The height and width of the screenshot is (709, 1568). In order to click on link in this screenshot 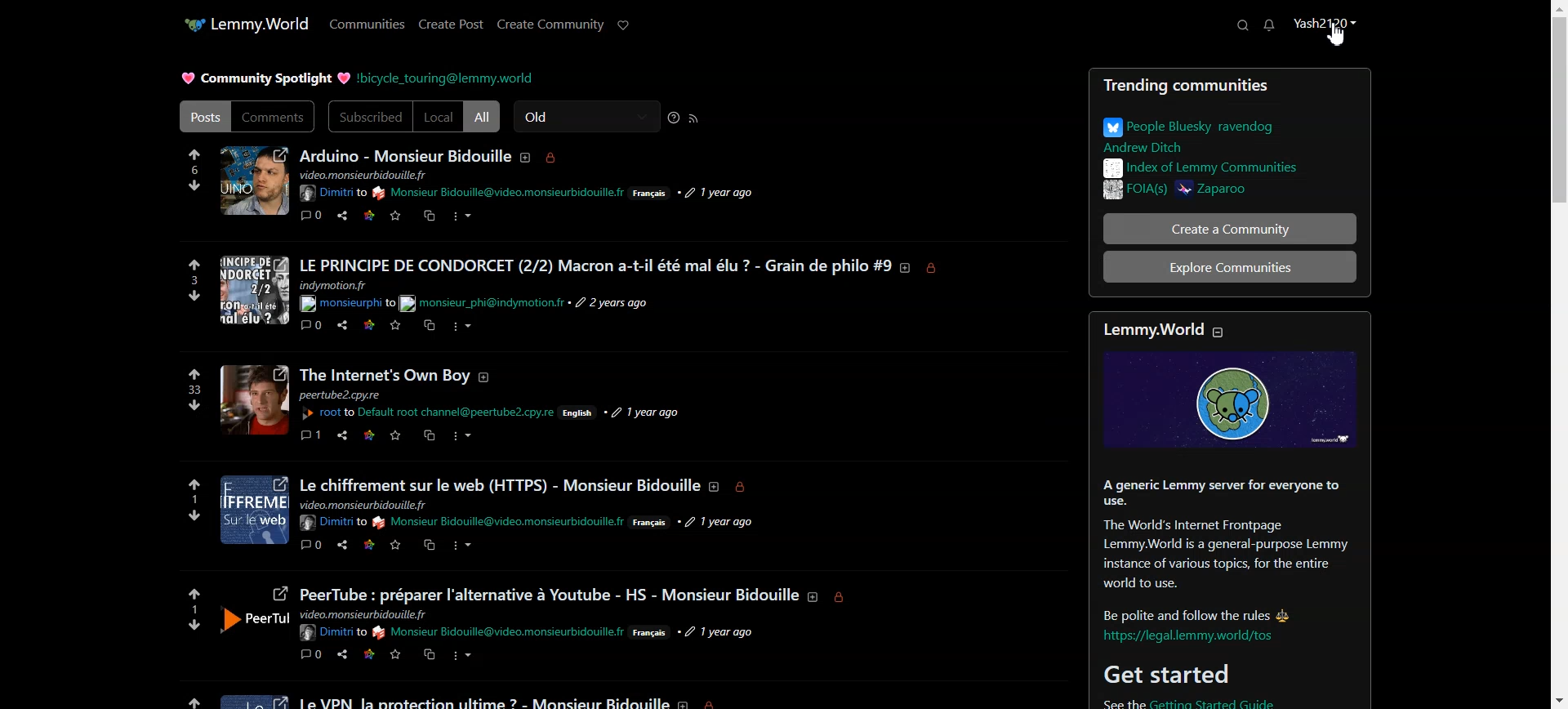, I will do `click(369, 328)`.